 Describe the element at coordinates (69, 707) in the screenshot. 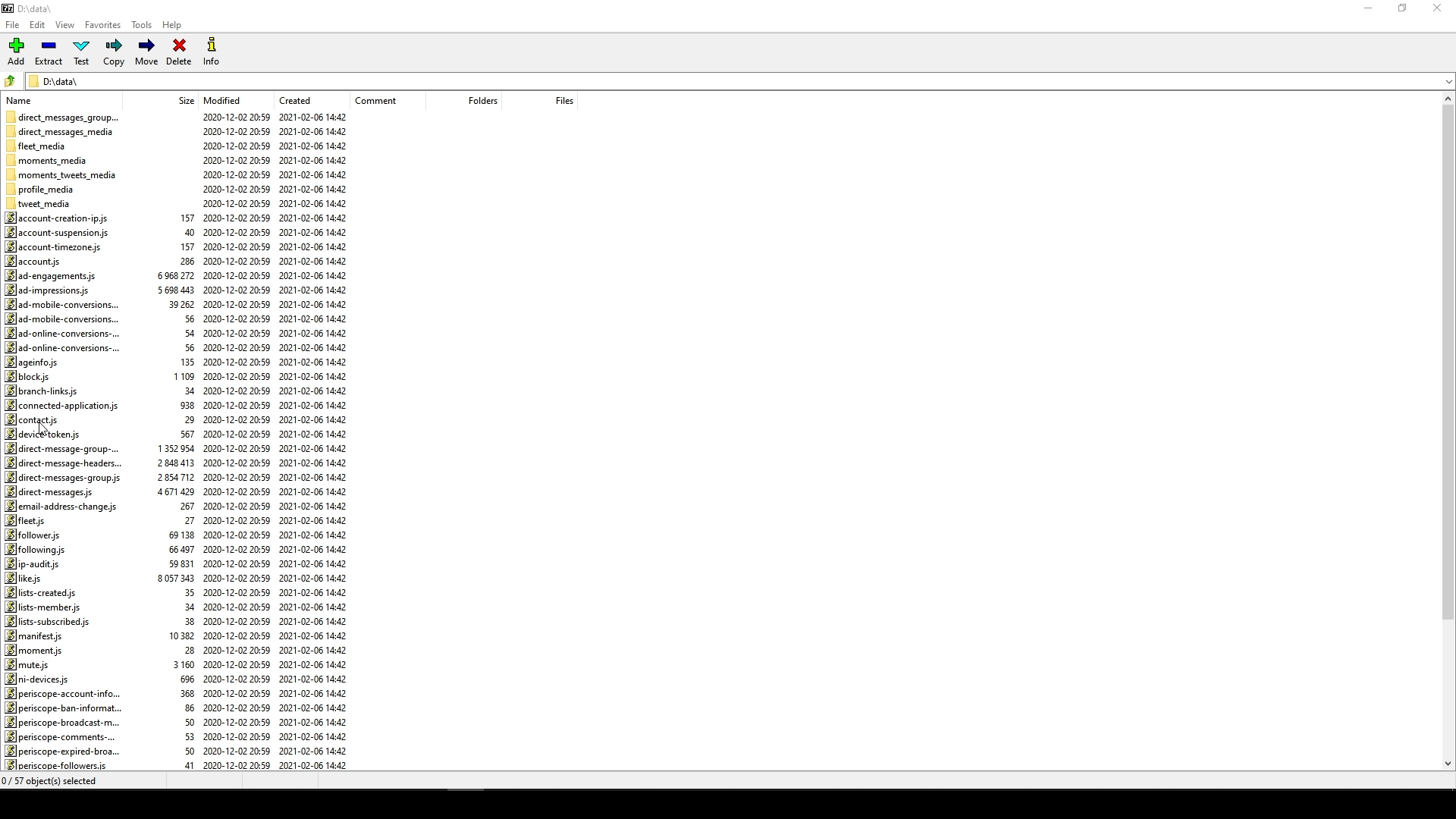

I see `periscope-ban-informat` at that location.